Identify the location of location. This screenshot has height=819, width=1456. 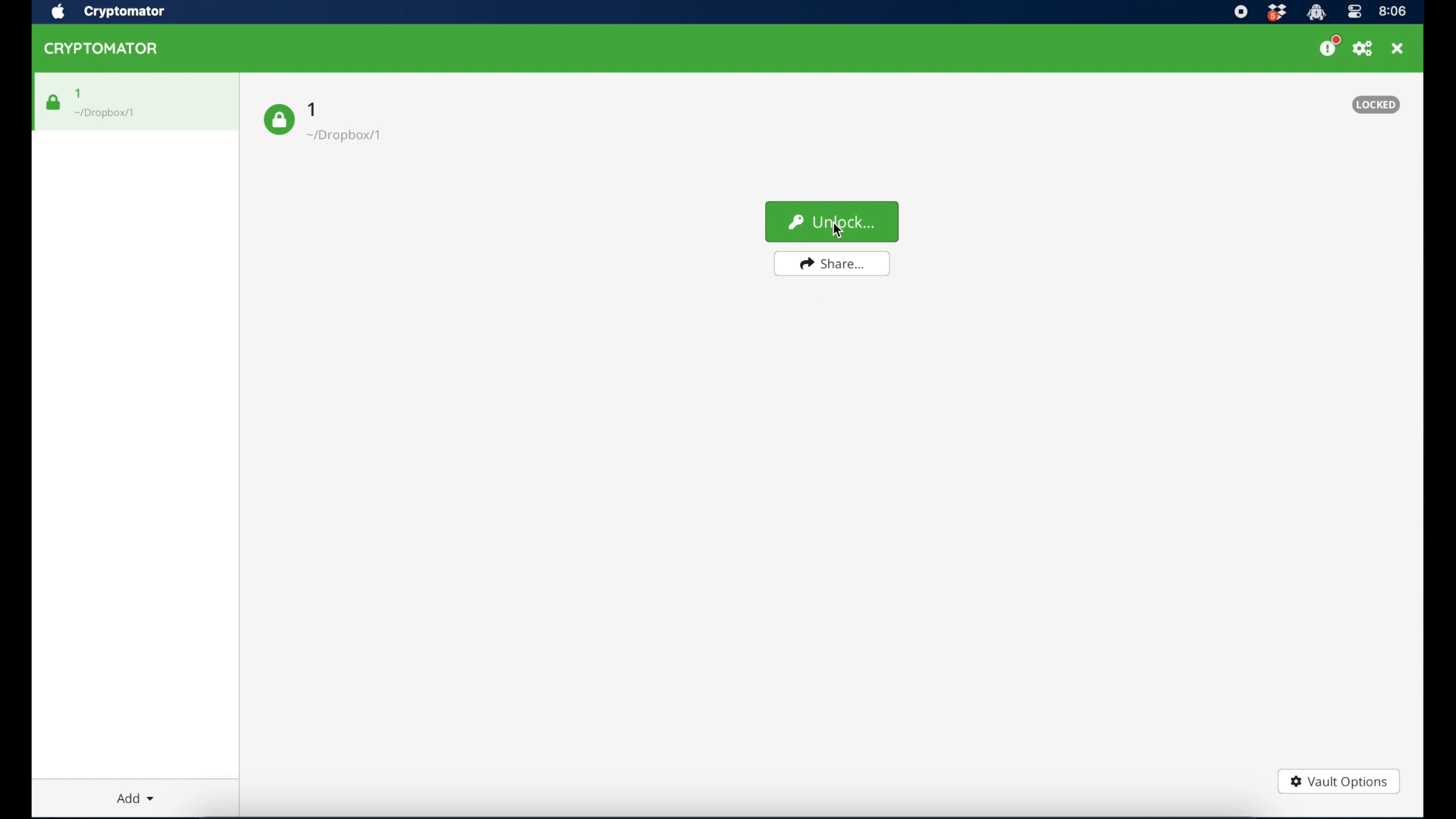
(344, 136).